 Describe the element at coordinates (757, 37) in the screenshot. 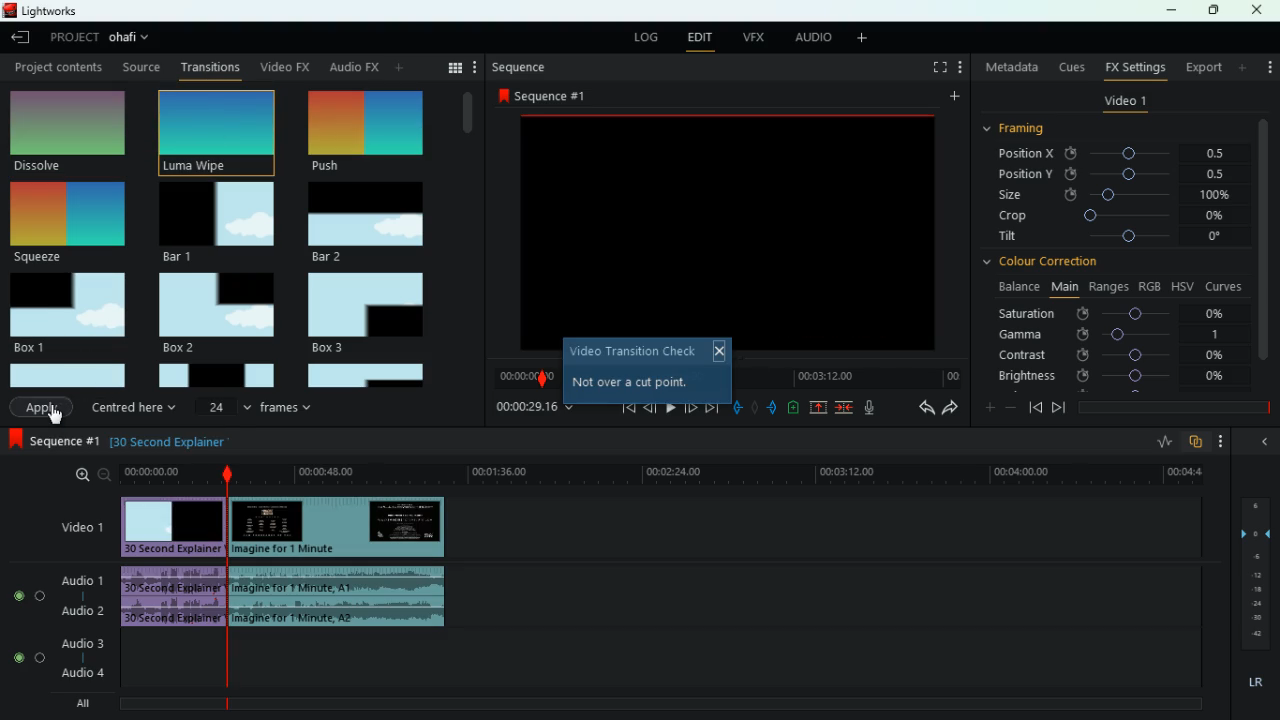

I see `vfx` at that location.